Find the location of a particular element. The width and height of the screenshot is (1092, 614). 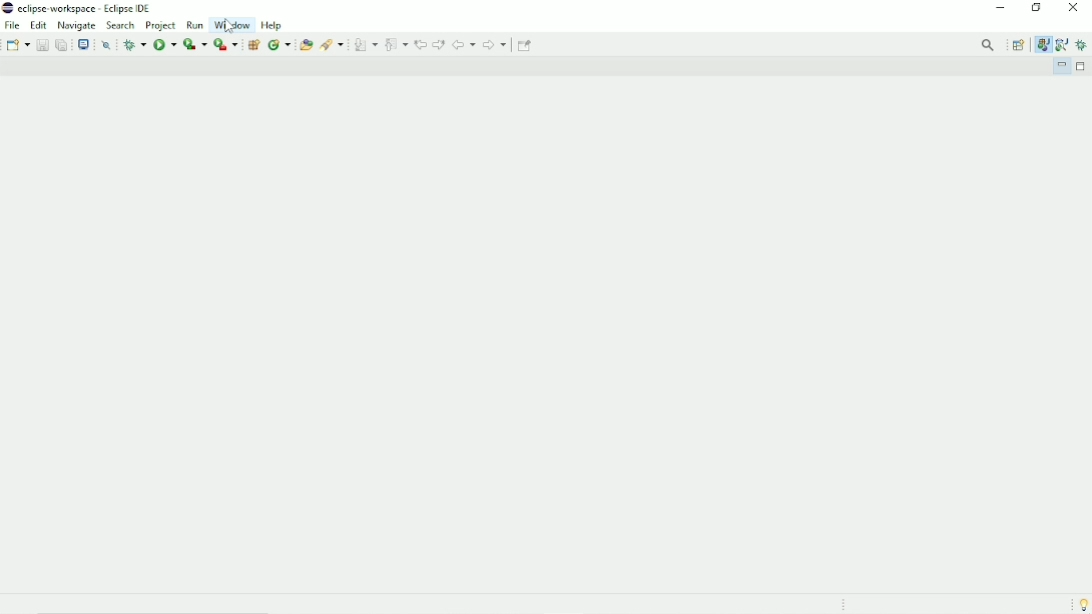

Forward is located at coordinates (495, 46).